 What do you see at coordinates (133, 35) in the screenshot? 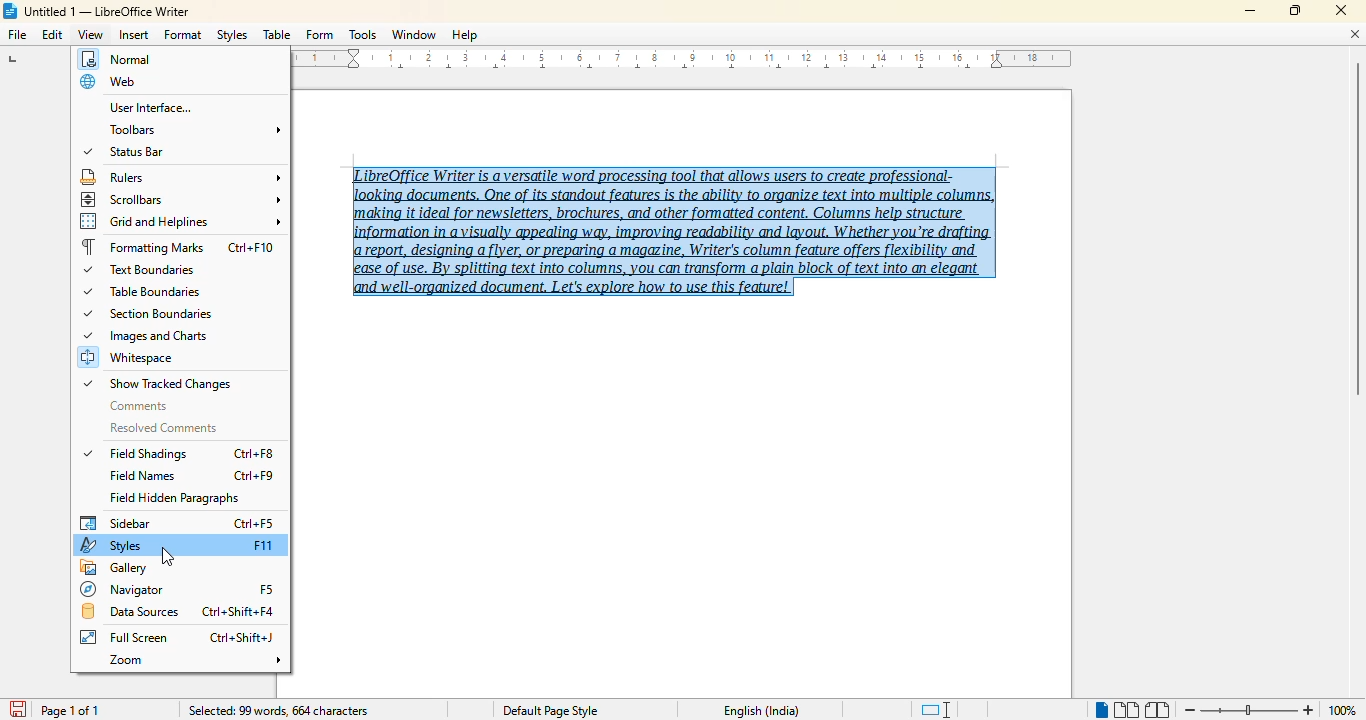
I see `insert` at bounding box center [133, 35].